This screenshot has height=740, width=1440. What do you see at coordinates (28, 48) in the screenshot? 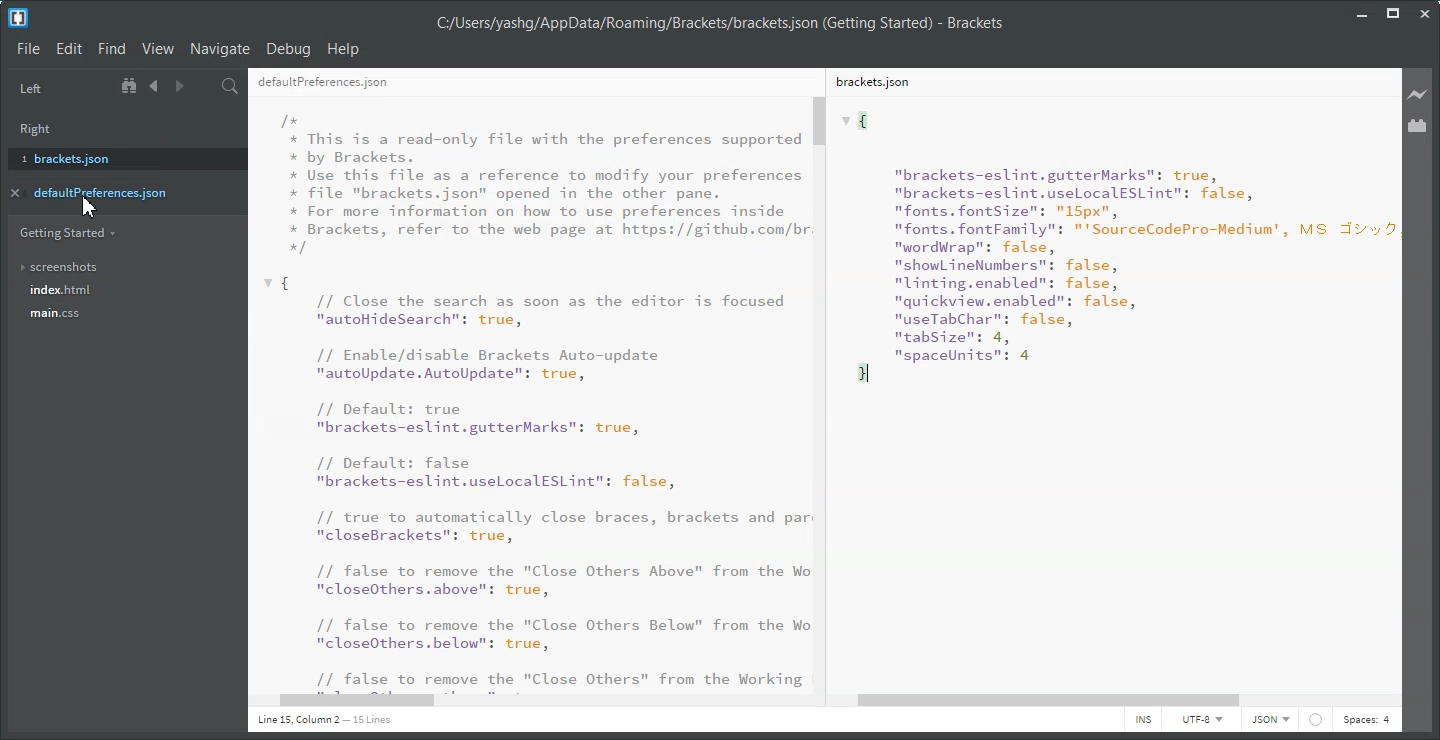
I see `File` at bounding box center [28, 48].